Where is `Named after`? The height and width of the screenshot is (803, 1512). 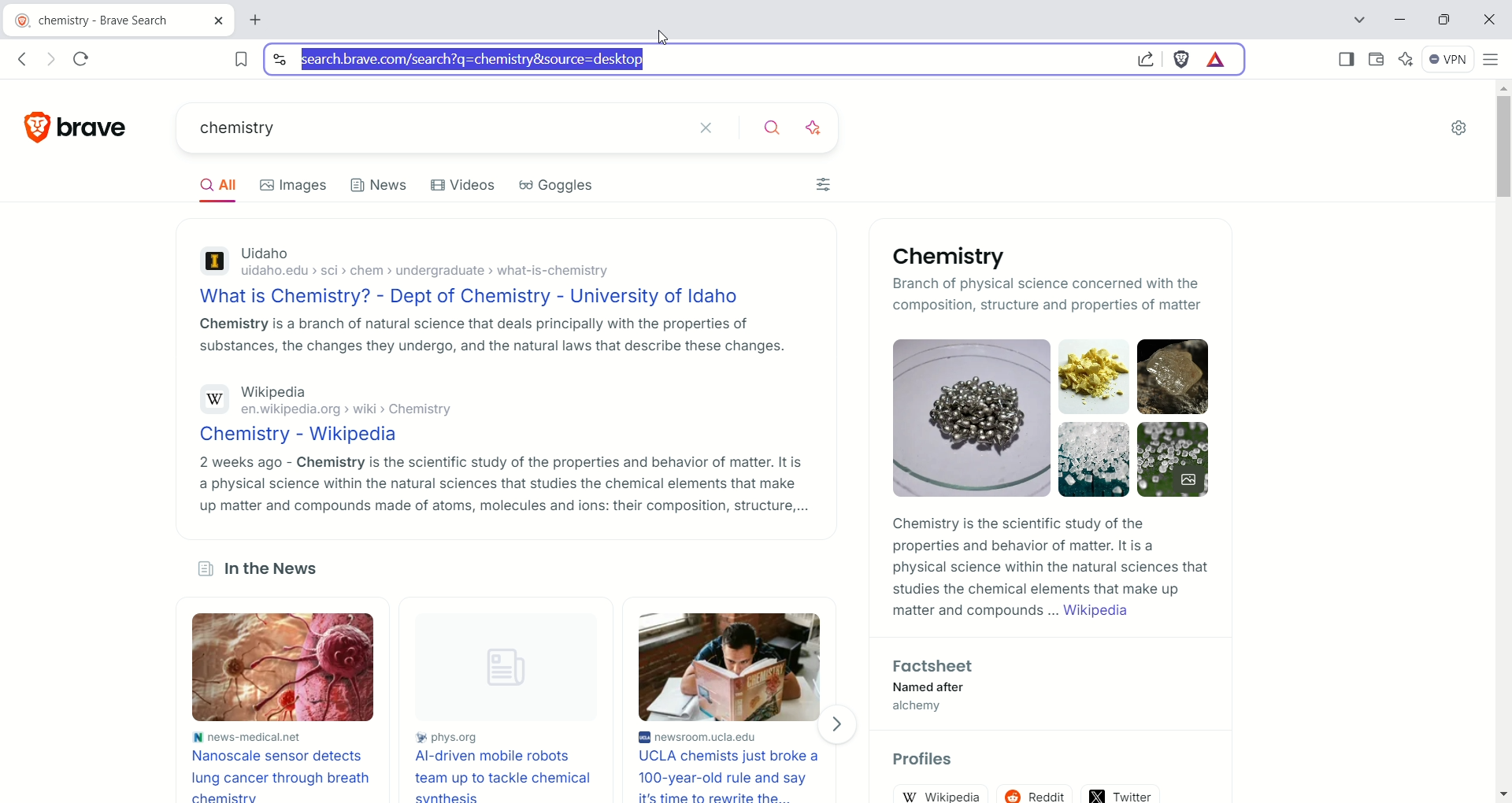 Named after is located at coordinates (942, 687).